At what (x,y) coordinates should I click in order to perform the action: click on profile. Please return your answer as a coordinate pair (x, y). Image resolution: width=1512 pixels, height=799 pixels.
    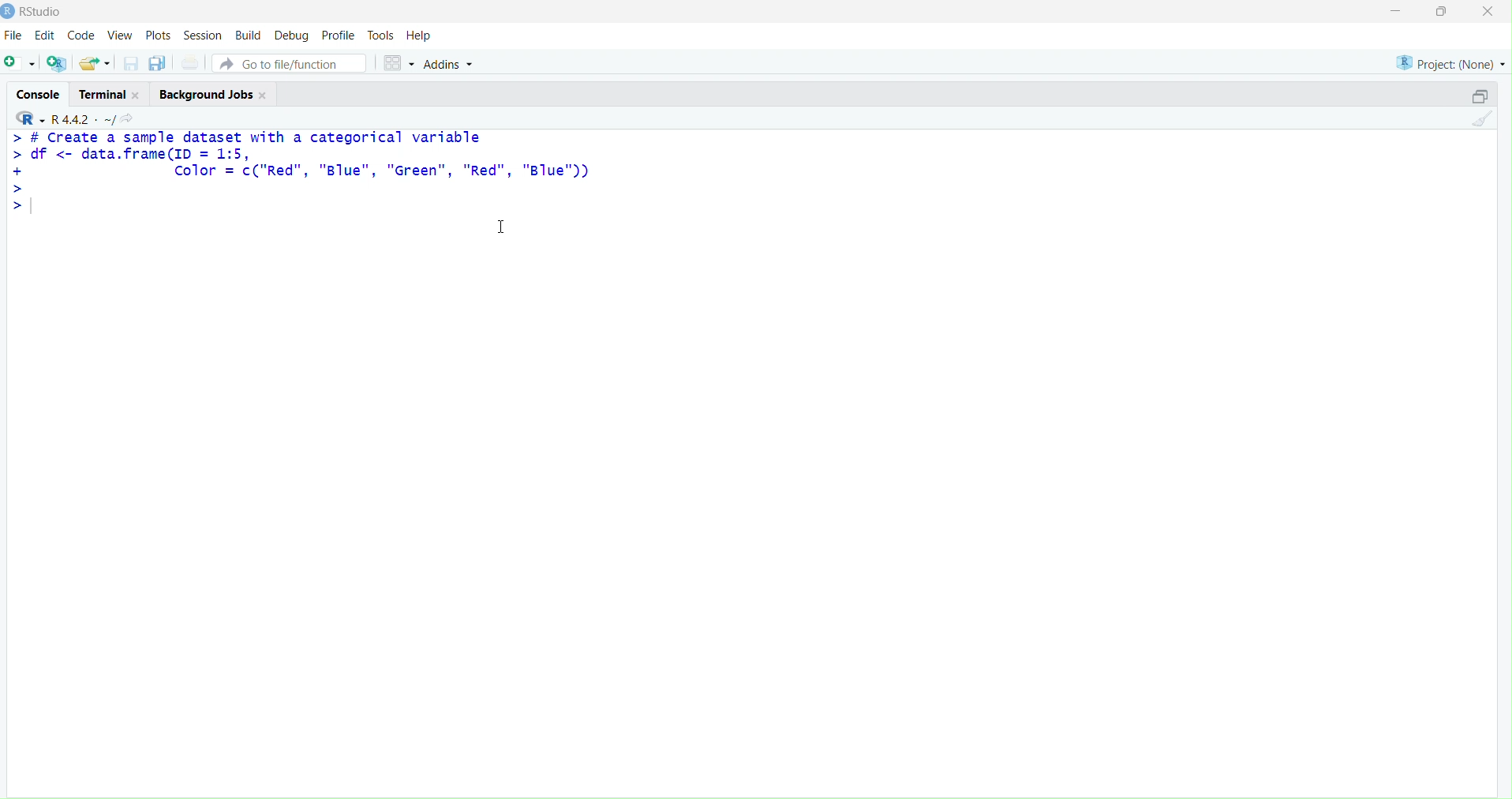
    Looking at the image, I should click on (341, 36).